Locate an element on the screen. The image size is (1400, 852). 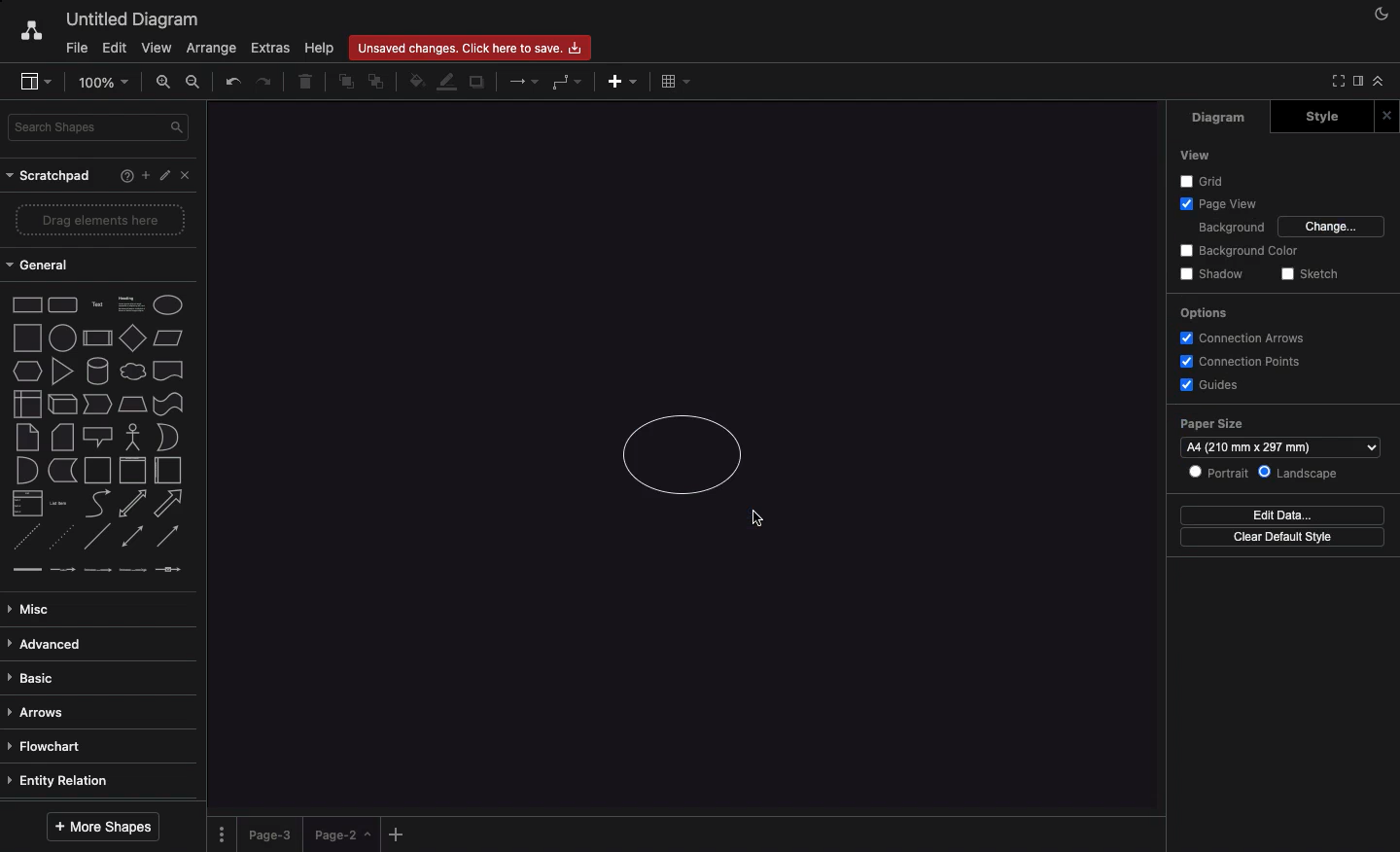
or is located at coordinates (168, 437).